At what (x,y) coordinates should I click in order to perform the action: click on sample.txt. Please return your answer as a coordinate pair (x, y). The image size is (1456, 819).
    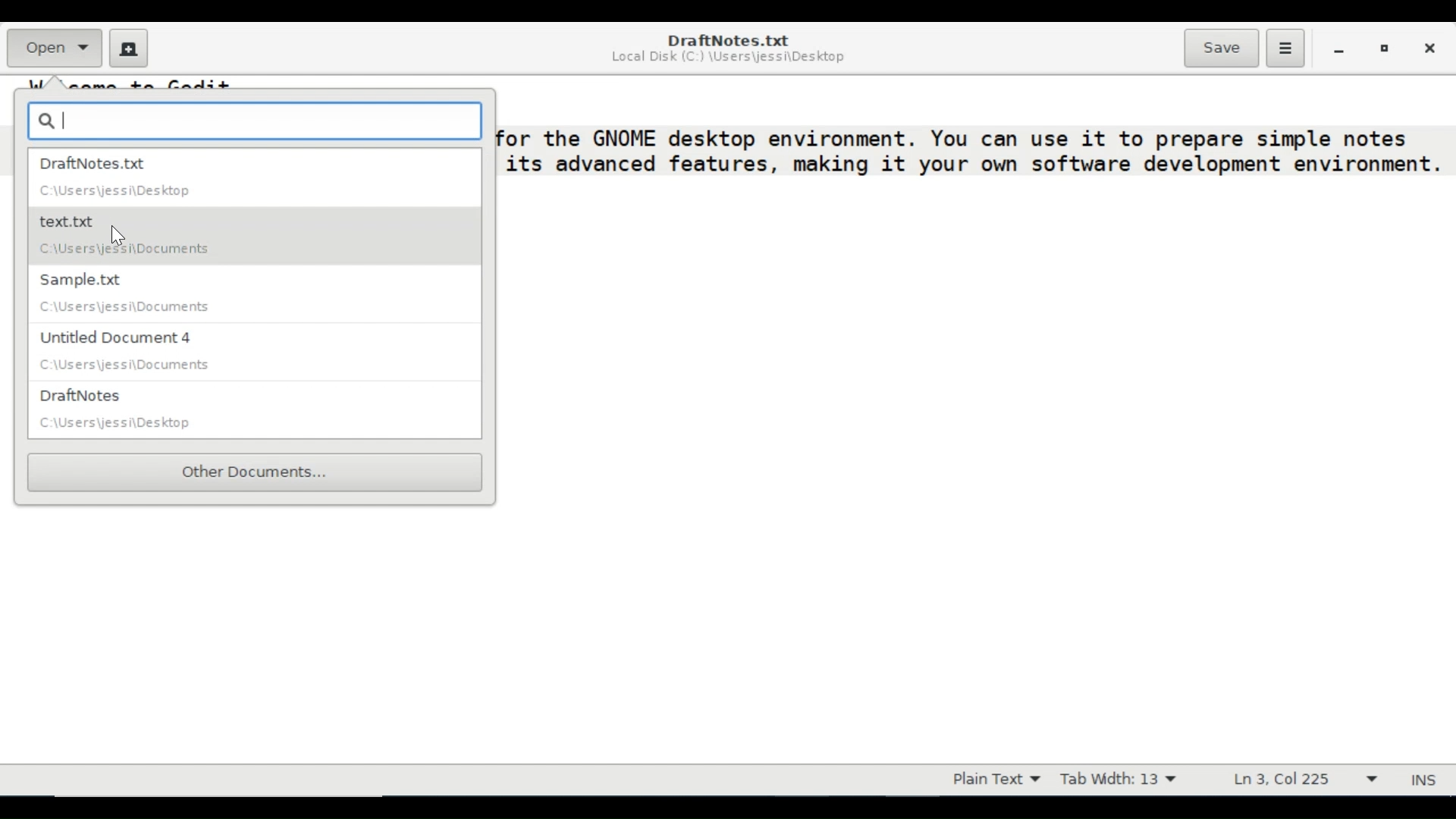
    Looking at the image, I should click on (244, 295).